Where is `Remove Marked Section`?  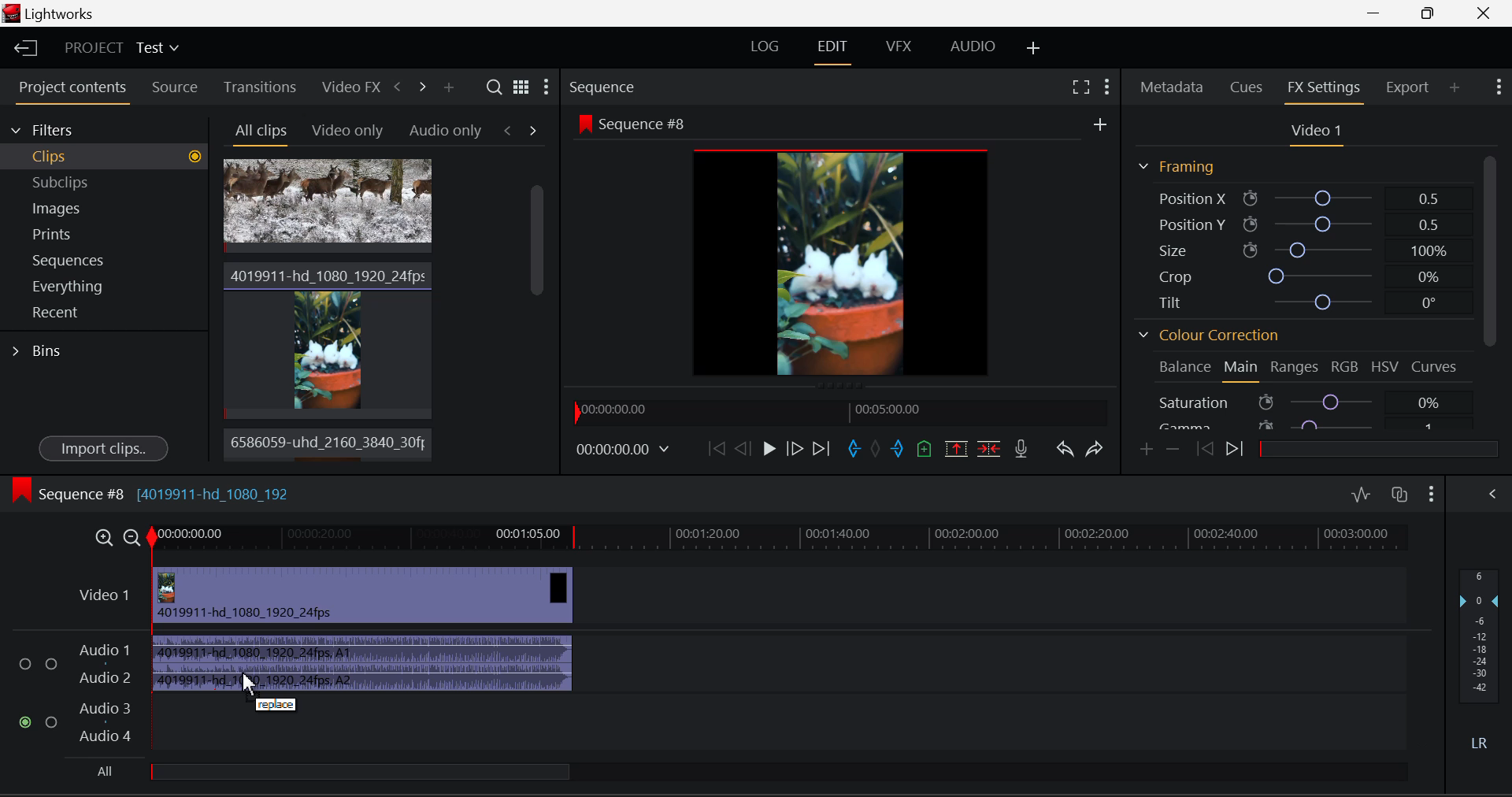 Remove Marked Section is located at coordinates (958, 447).